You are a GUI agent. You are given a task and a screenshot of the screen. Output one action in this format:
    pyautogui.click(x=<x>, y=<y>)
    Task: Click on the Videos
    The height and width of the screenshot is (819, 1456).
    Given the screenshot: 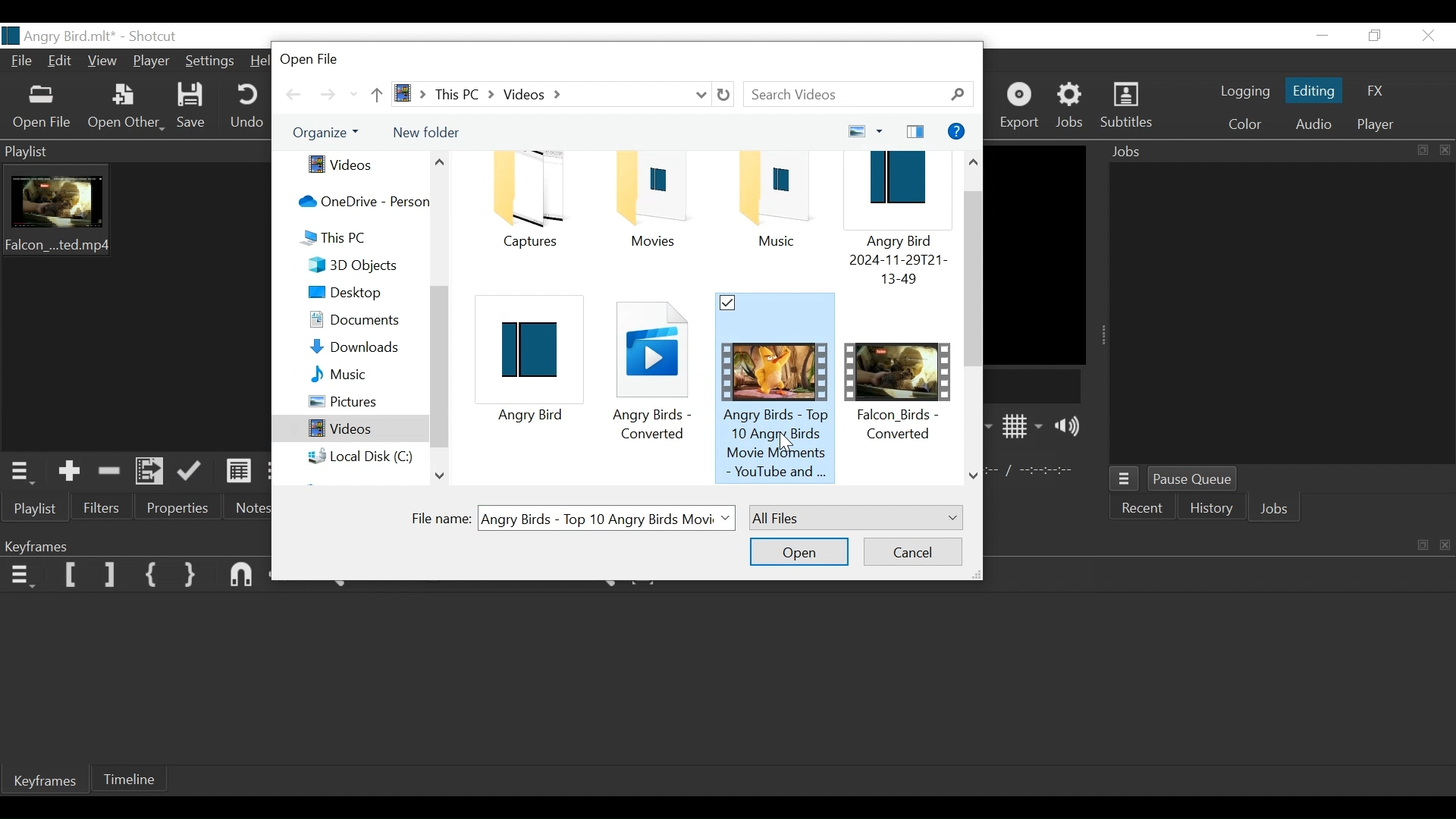 What is the action you would take?
    pyautogui.click(x=358, y=165)
    